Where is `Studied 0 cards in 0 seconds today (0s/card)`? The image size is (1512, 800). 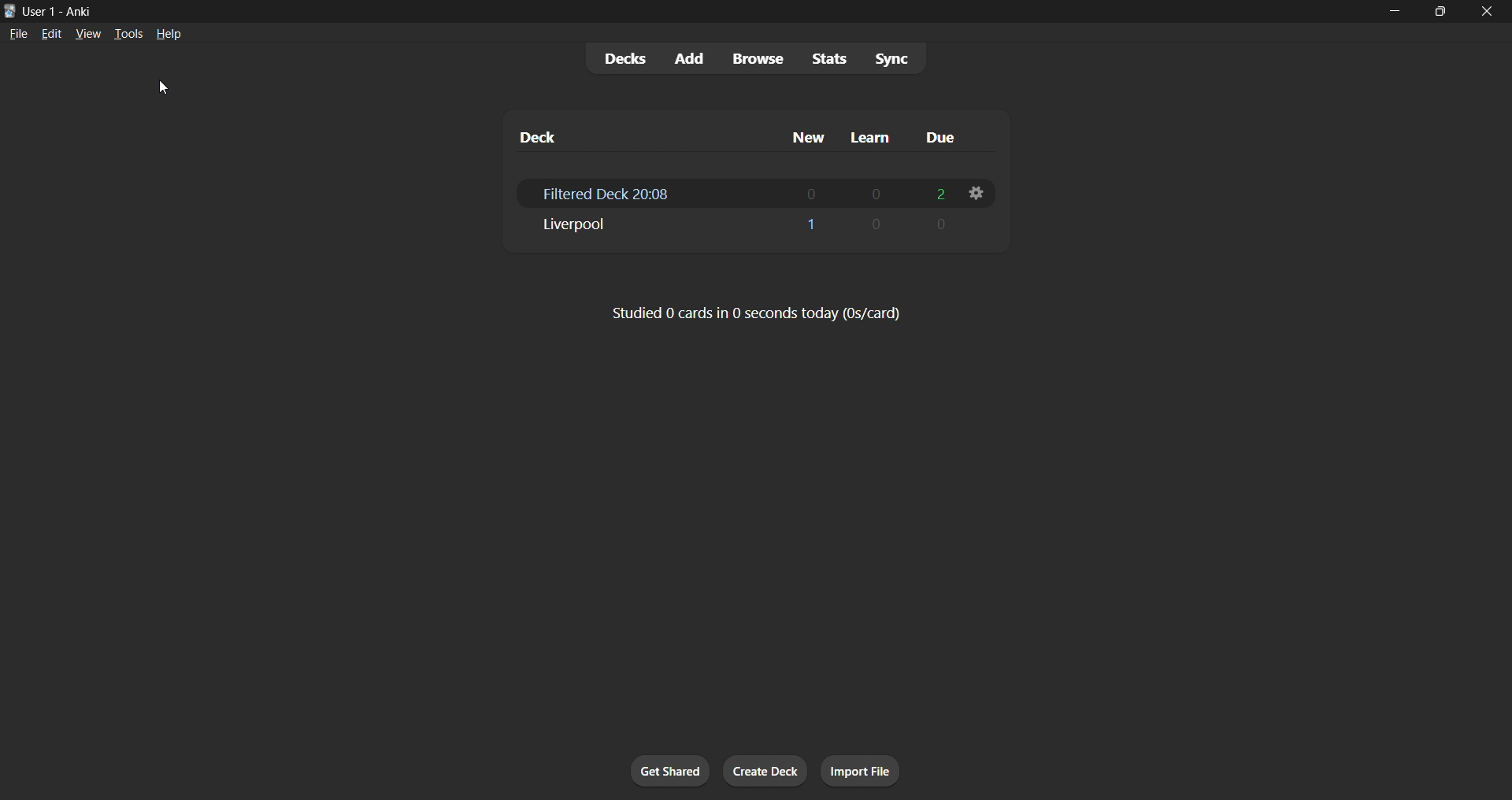 Studied 0 cards in 0 seconds today (0s/card) is located at coordinates (771, 314).